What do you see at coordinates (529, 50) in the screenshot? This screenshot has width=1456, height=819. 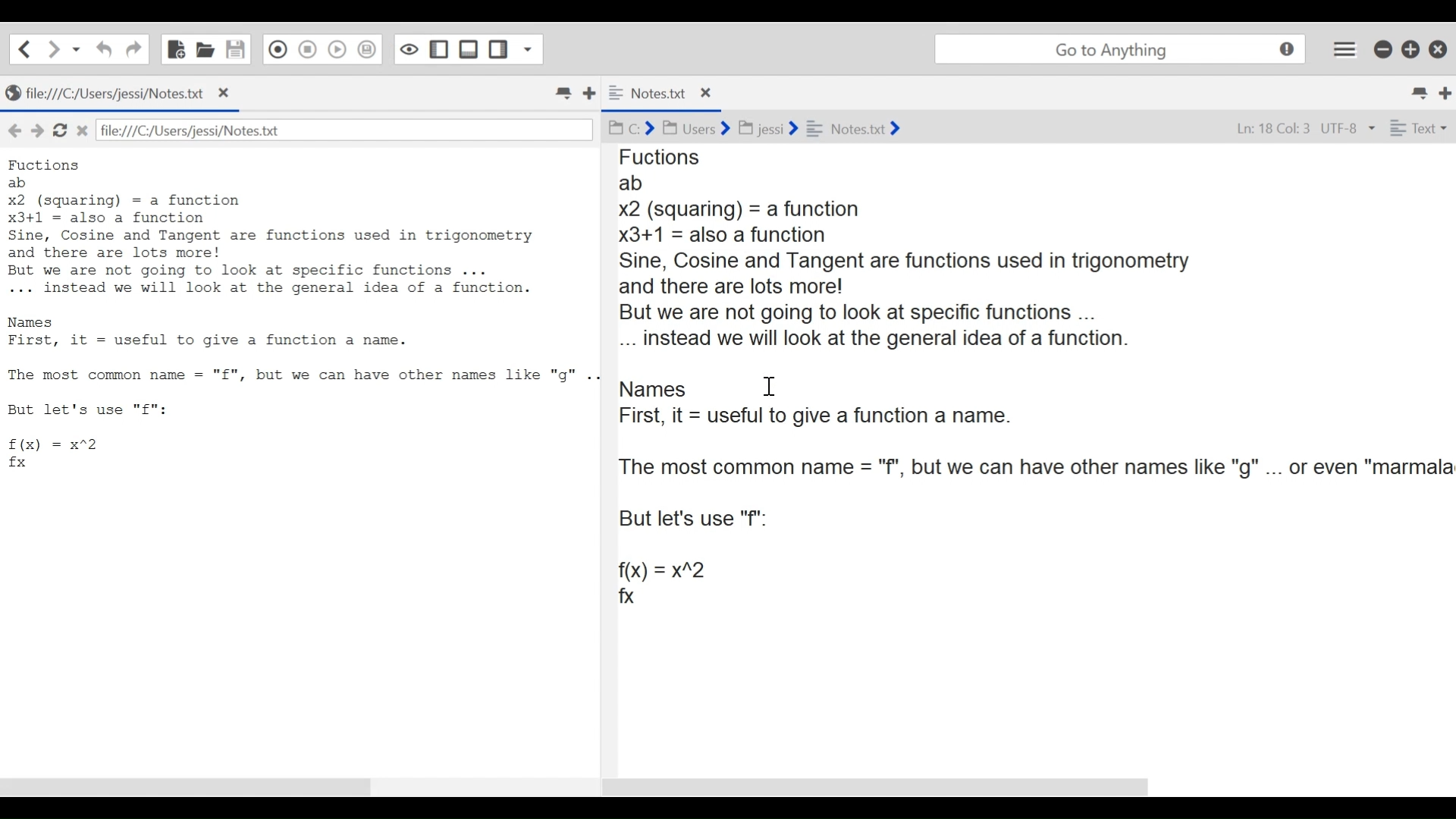 I see `Show specific Side Pane` at bounding box center [529, 50].